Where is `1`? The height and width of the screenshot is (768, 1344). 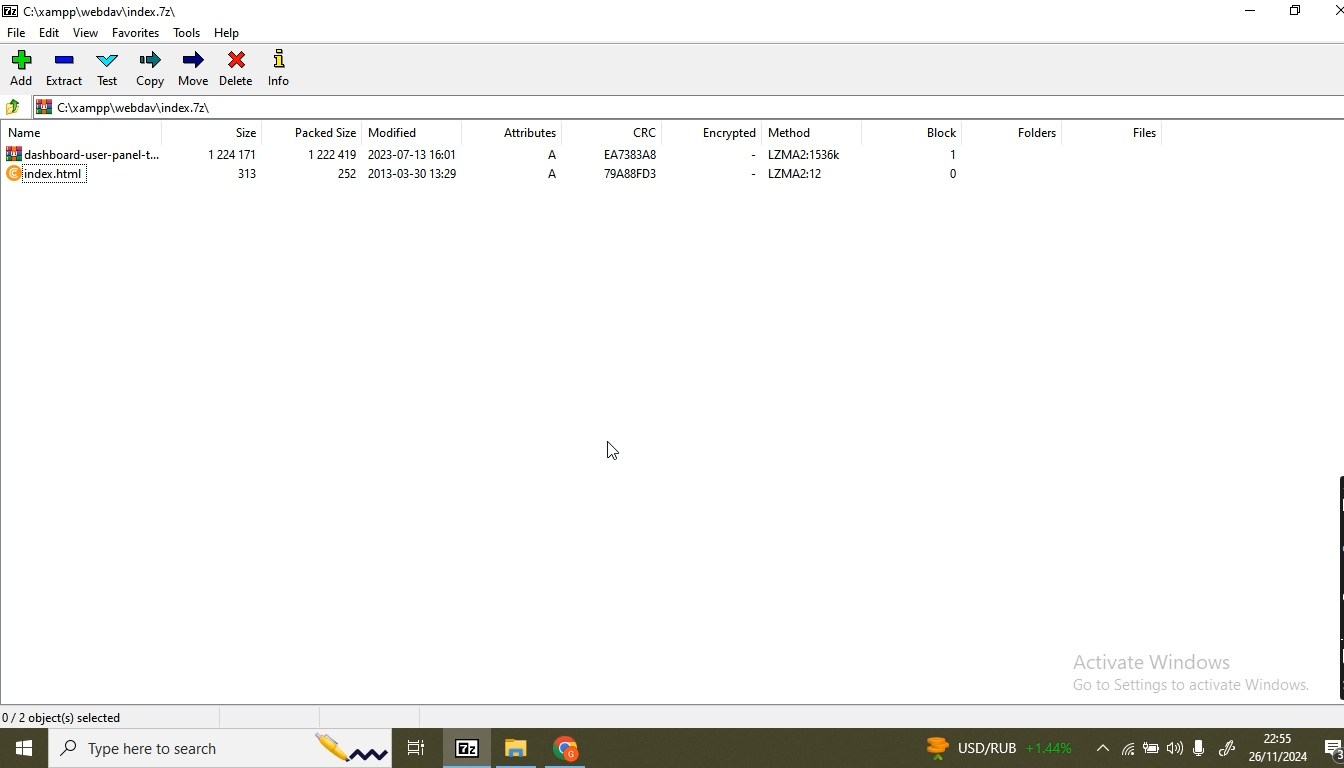
1 is located at coordinates (954, 153).